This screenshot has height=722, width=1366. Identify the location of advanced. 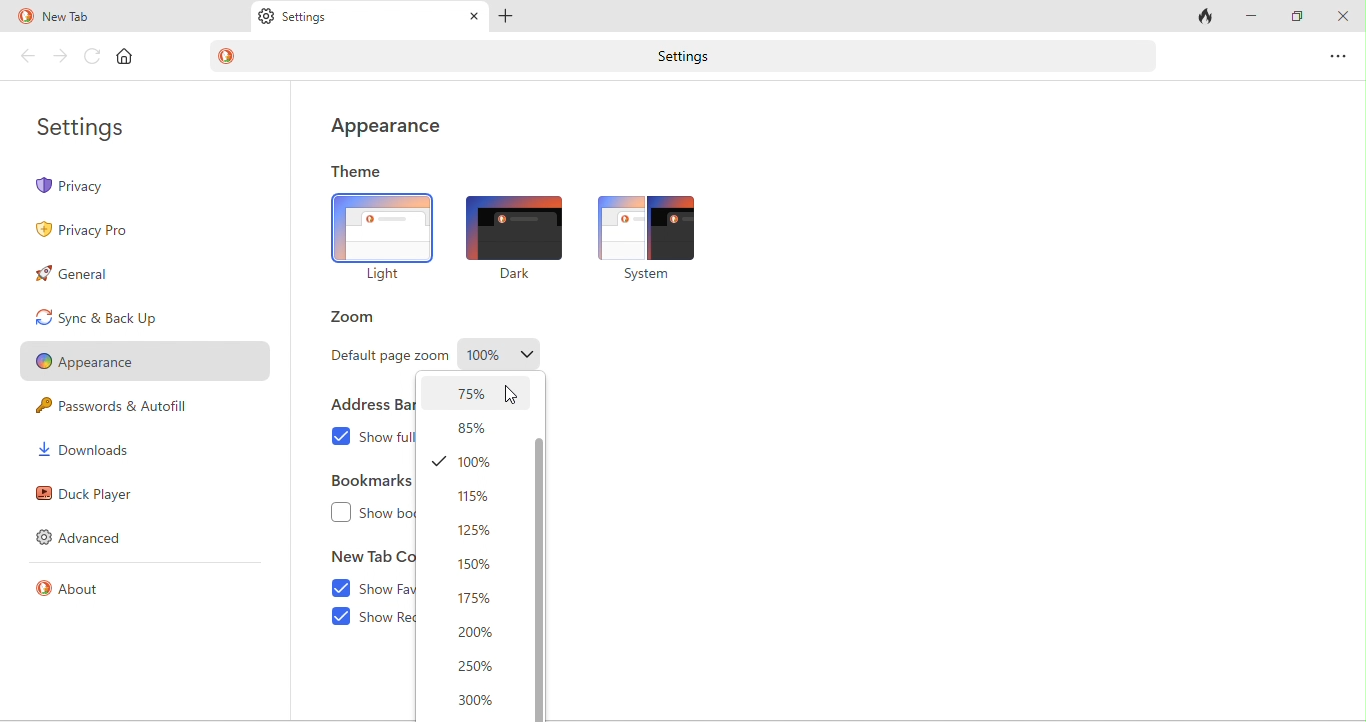
(90, 539).